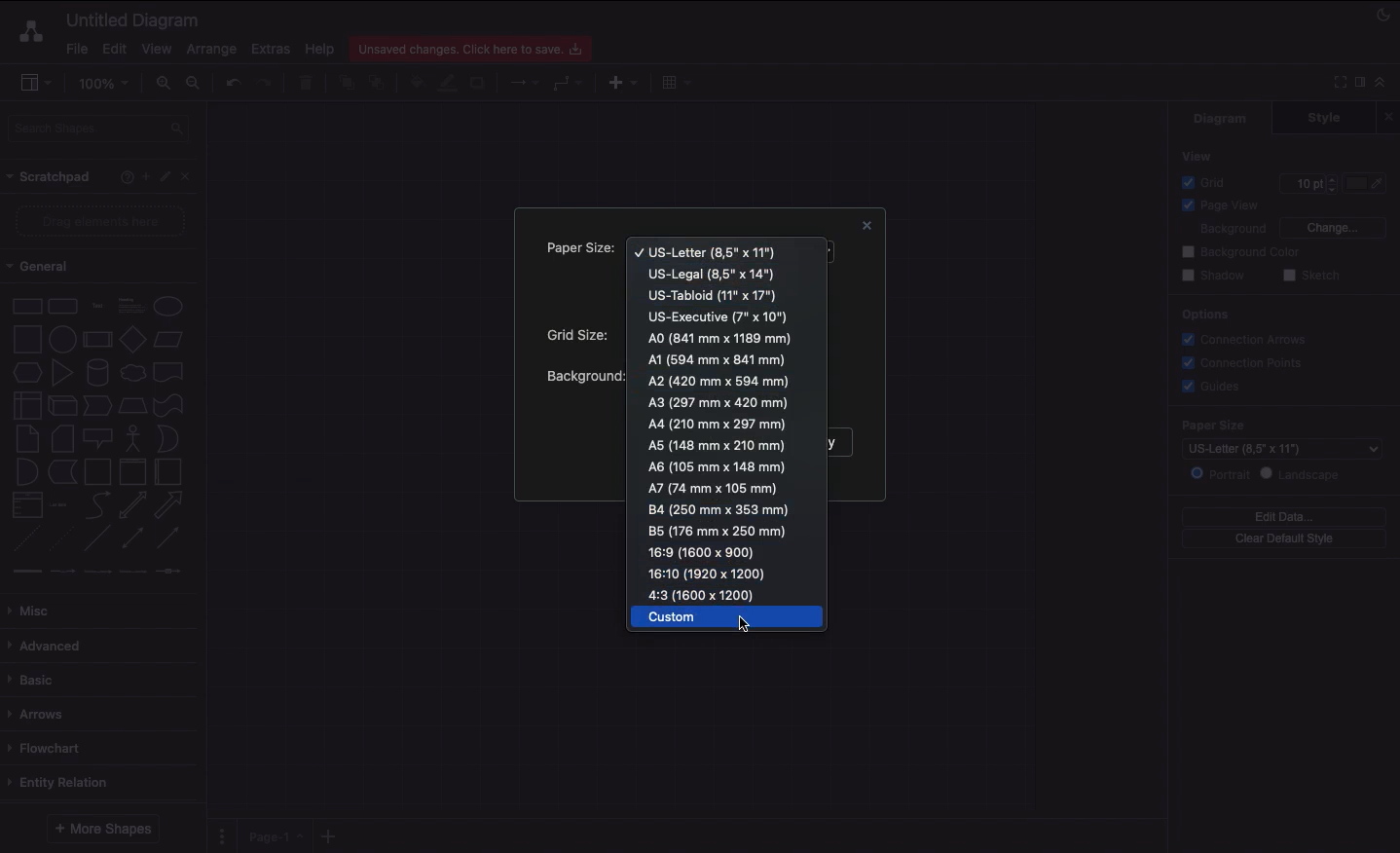 The image size is (1400, 853). What do you see at coordinates (720, 381) in the screenshot?
I see `A2` at bounding box center [720, 381].